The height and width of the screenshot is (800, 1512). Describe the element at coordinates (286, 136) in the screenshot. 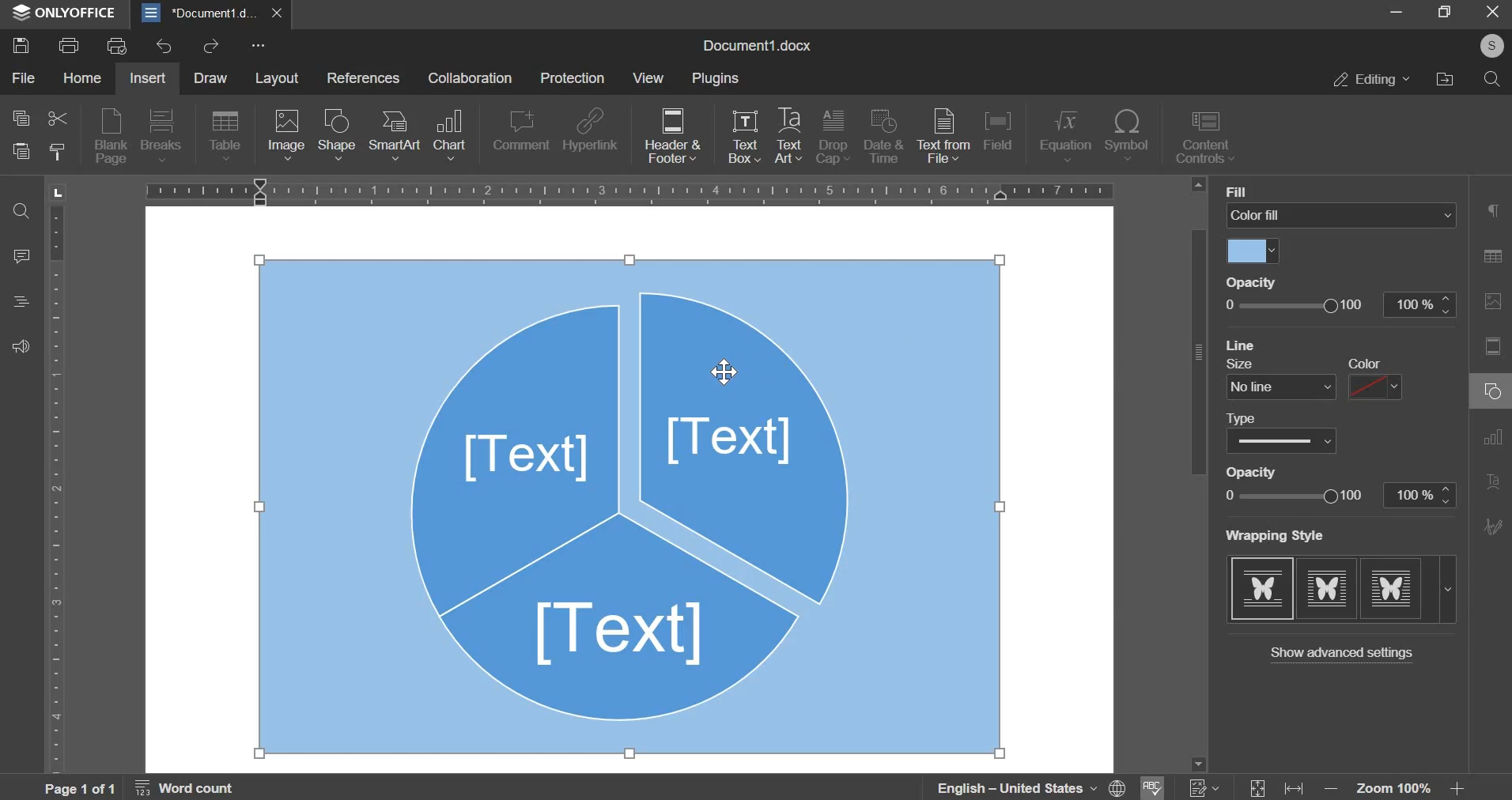

I see `image` at that location.